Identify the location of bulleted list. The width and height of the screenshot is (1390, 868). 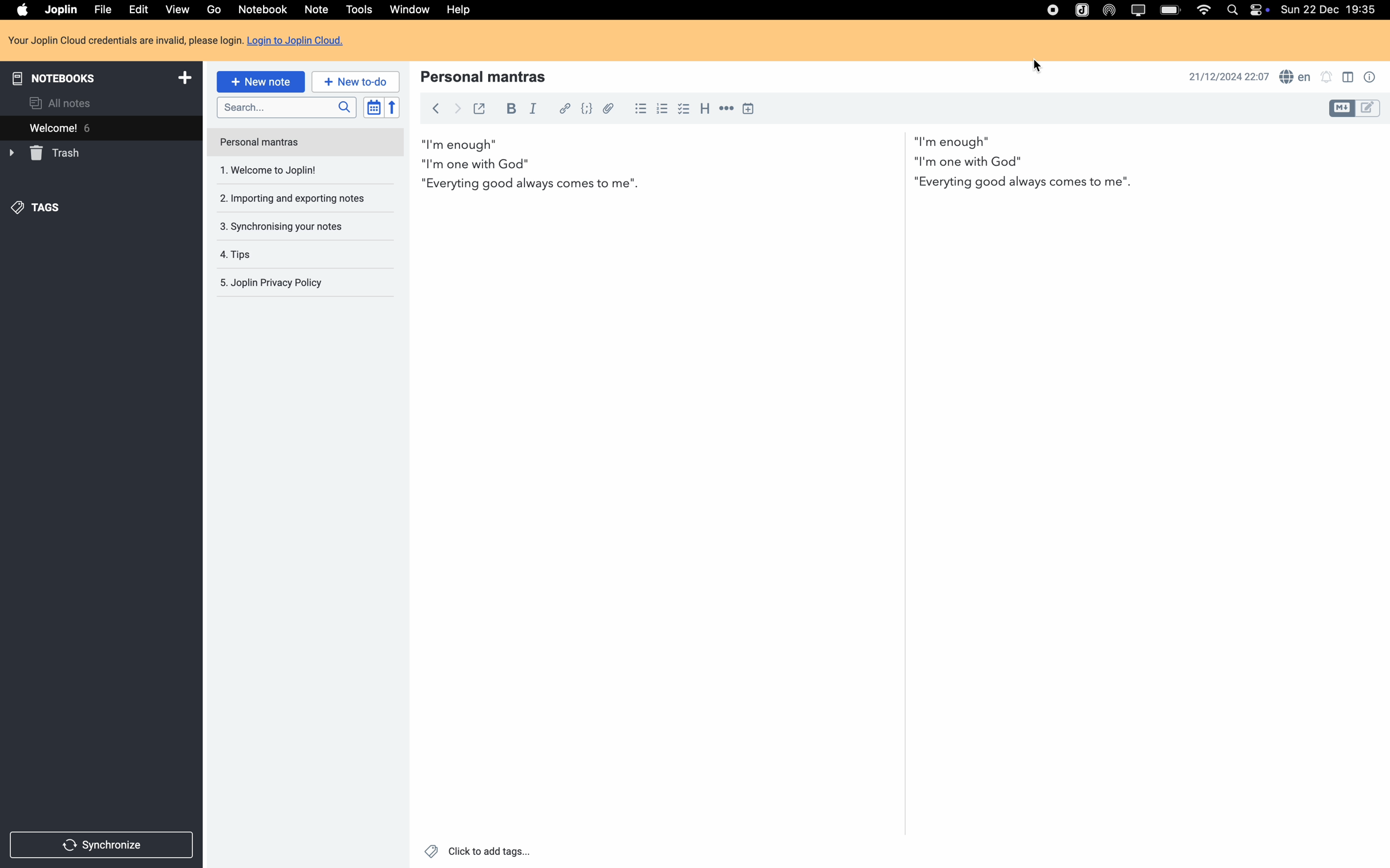
(640, 108).